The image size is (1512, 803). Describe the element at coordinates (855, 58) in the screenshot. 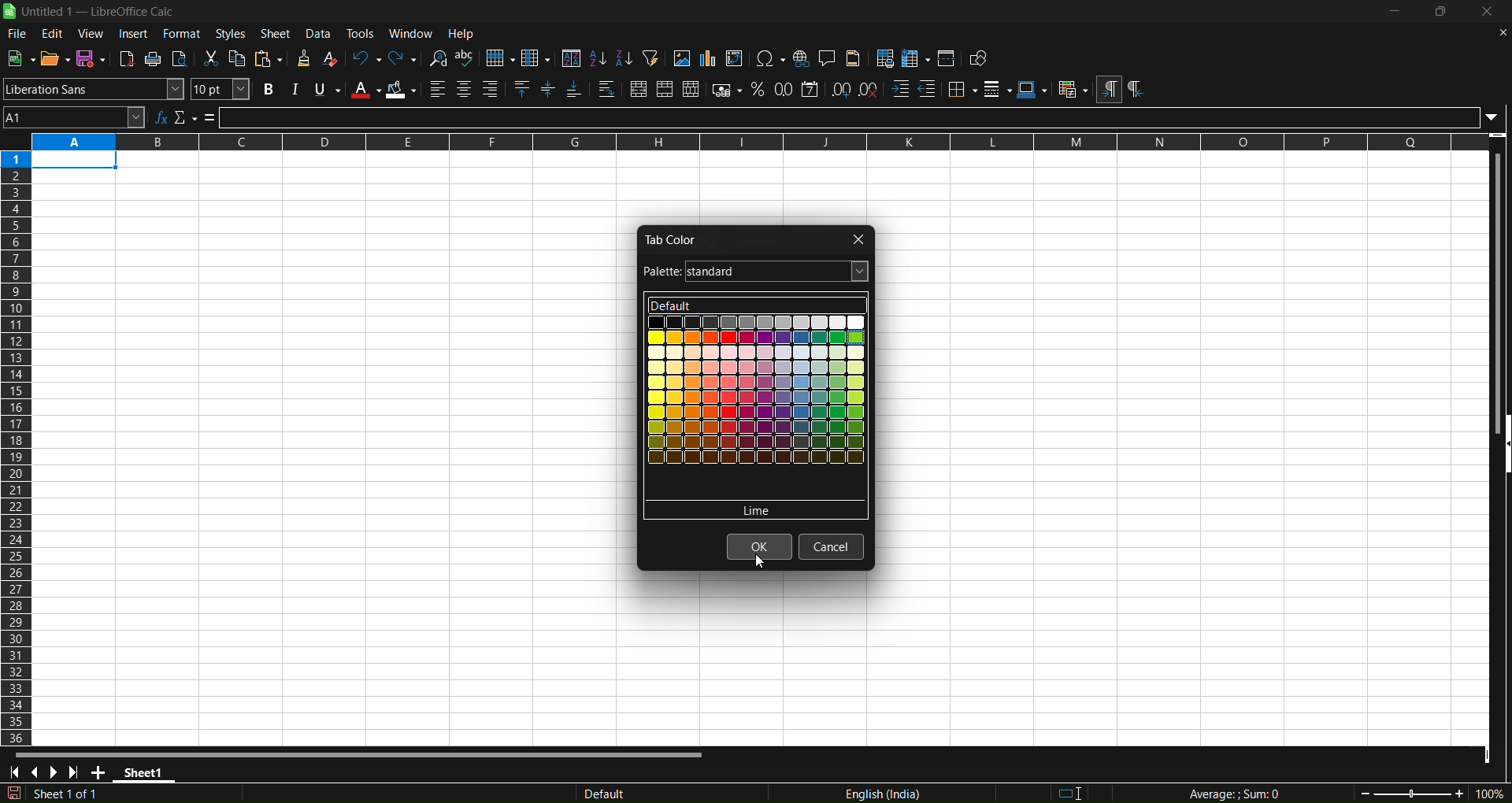

I see `headers and footers` at that location.